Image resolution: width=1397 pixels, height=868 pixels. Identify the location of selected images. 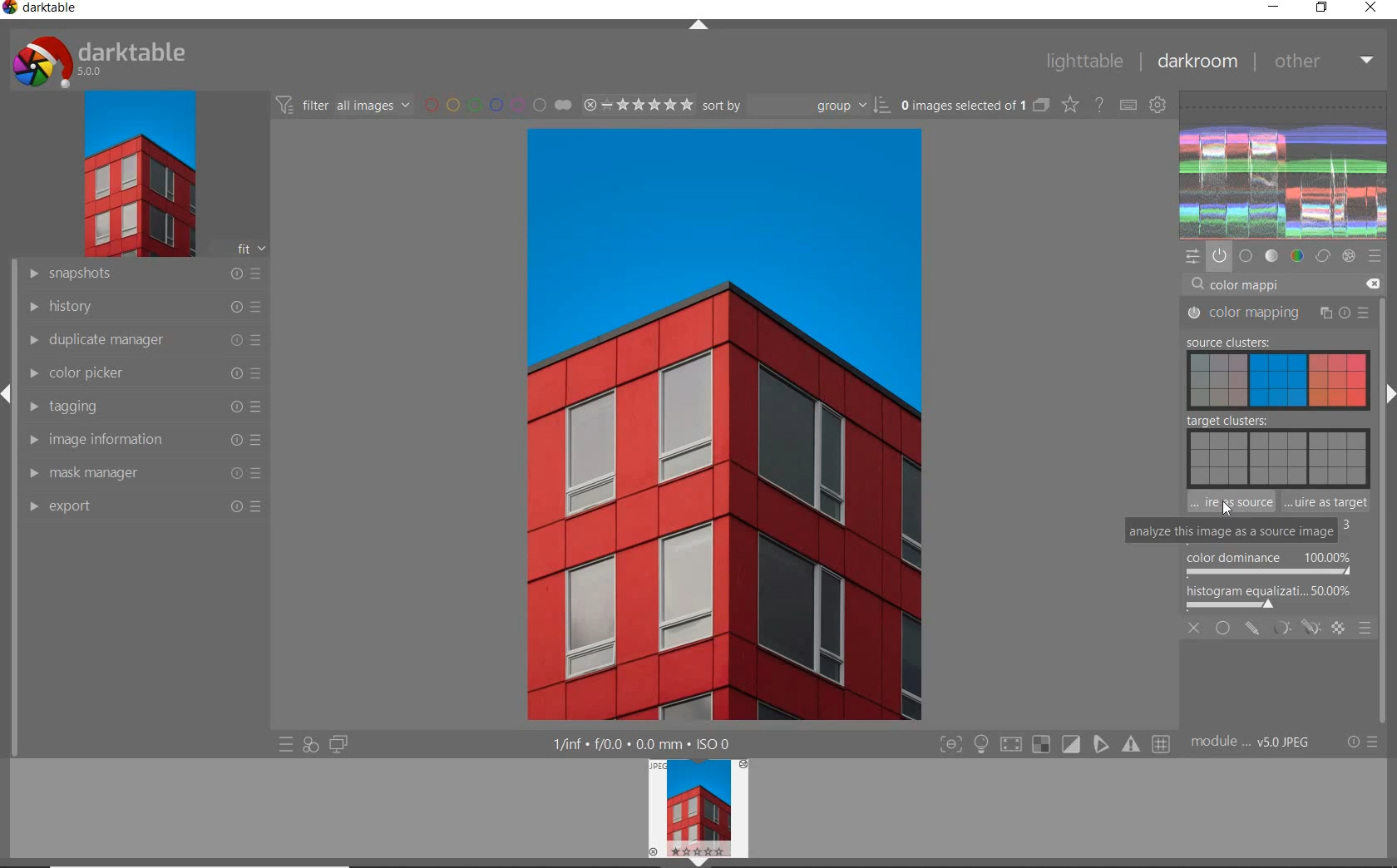
(960, 104).